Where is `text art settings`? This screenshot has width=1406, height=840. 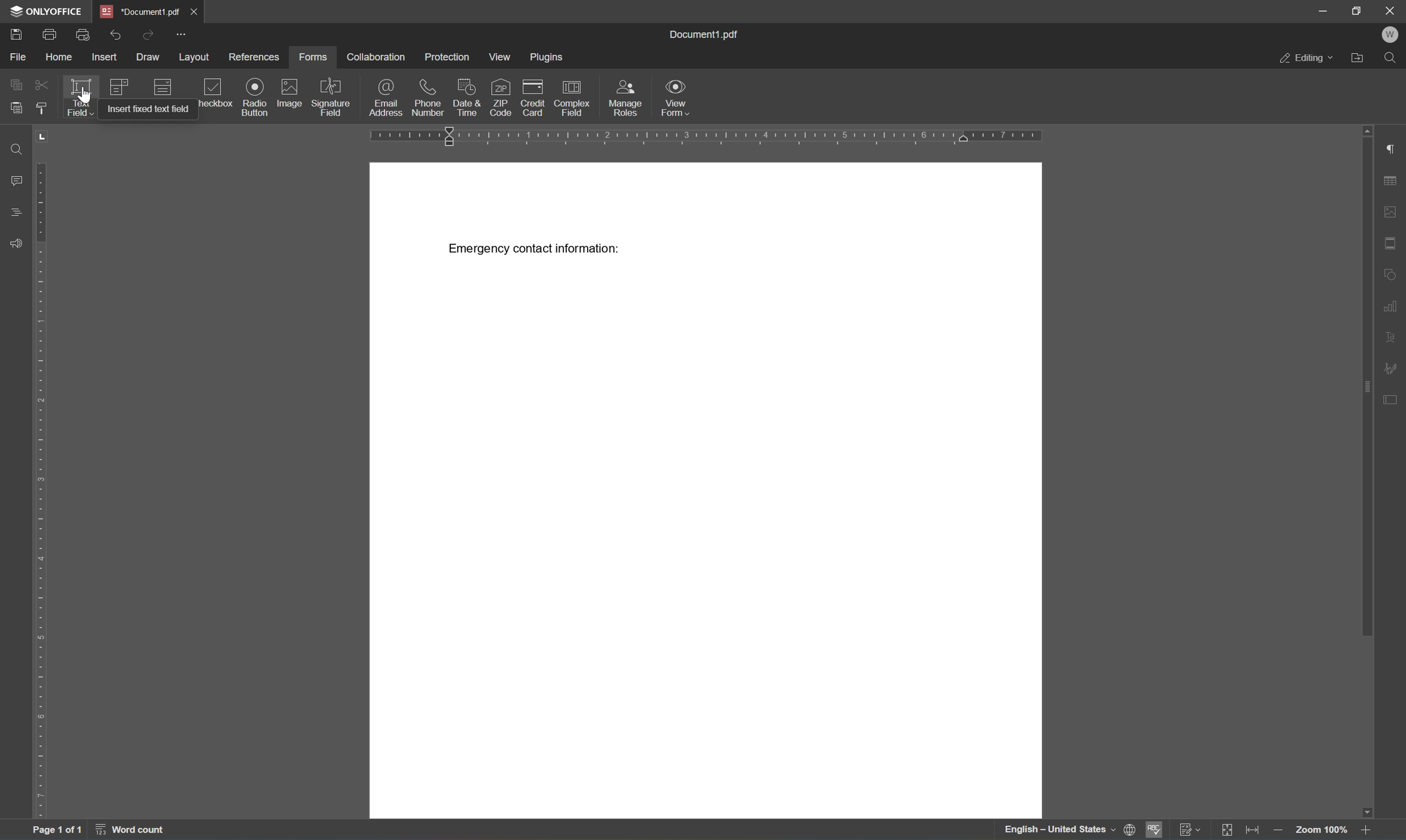
text art settings is located at coordinates (1392, 337).